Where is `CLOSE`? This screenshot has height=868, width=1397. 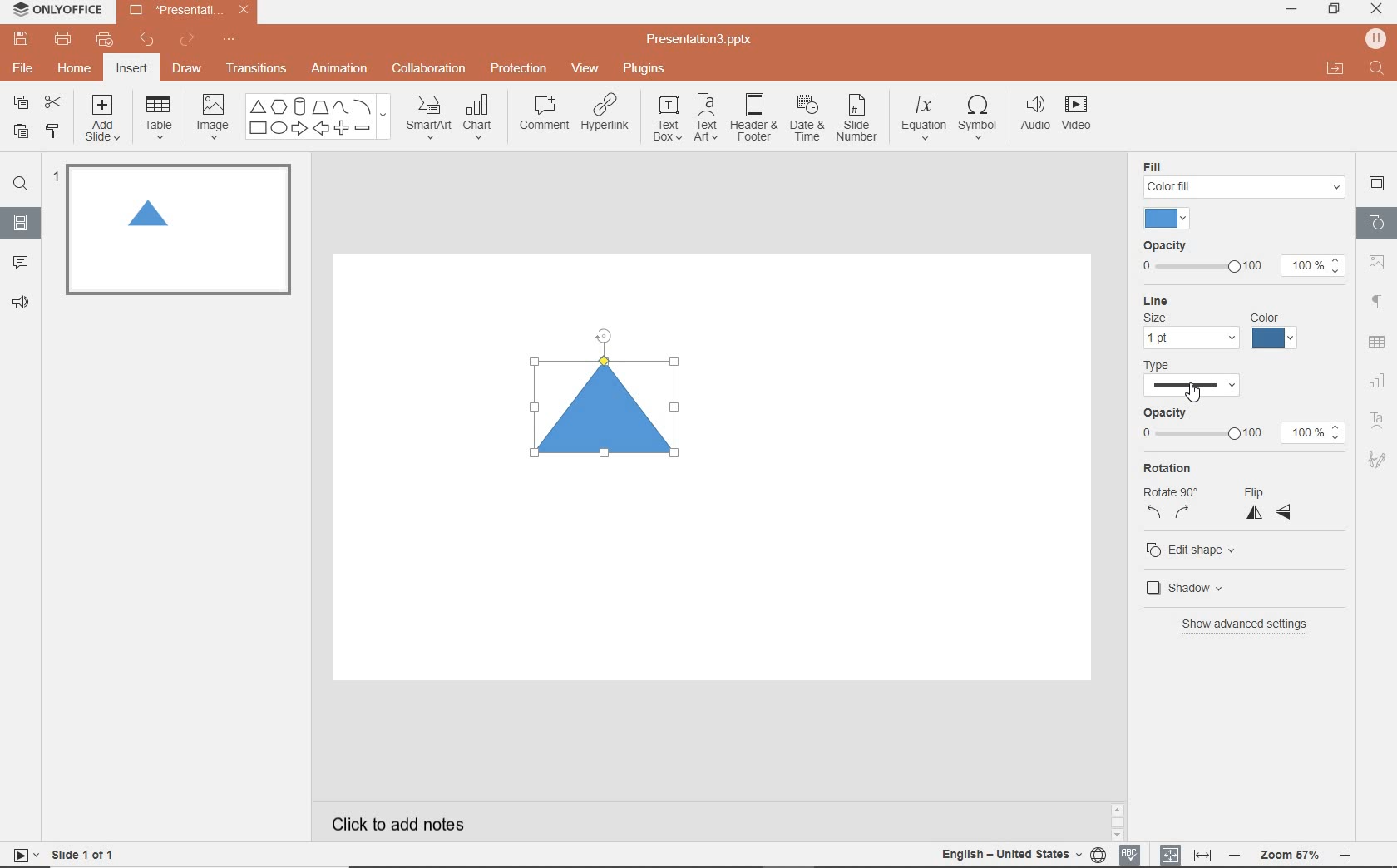 CLOSE is located at coordinates (1376, 10).